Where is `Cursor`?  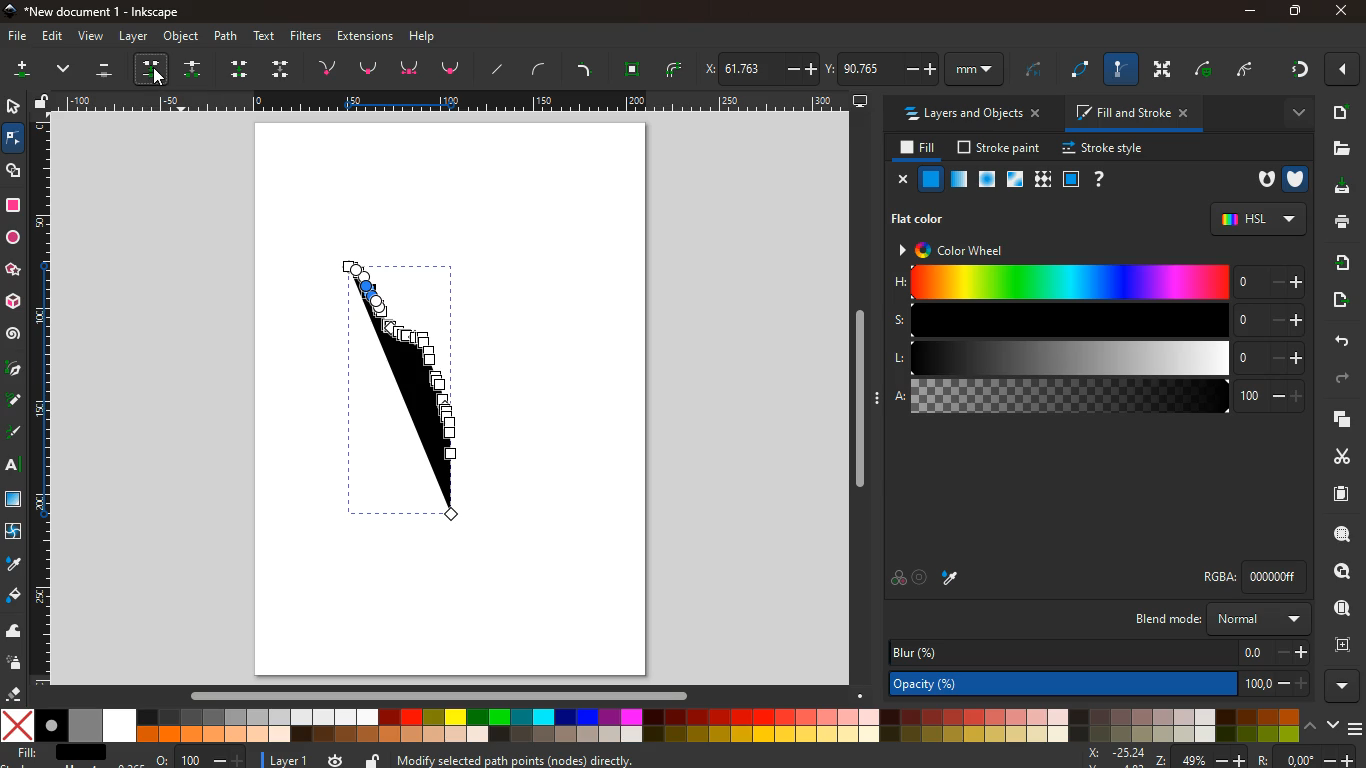
Cursor is located at coordinates (161, 80).